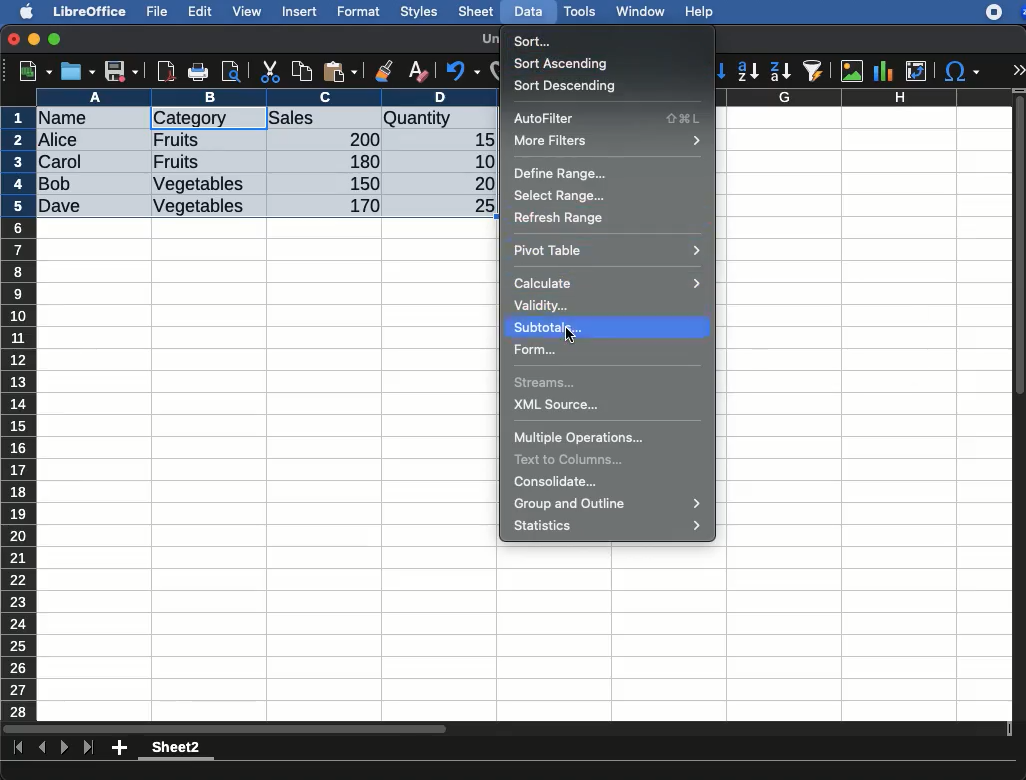 The height and width of the screenshot is (780, 1026). What do you see at coordinates (567, 85) in the screenshot?
I see `sort descending` at bounding box center [567, 85].